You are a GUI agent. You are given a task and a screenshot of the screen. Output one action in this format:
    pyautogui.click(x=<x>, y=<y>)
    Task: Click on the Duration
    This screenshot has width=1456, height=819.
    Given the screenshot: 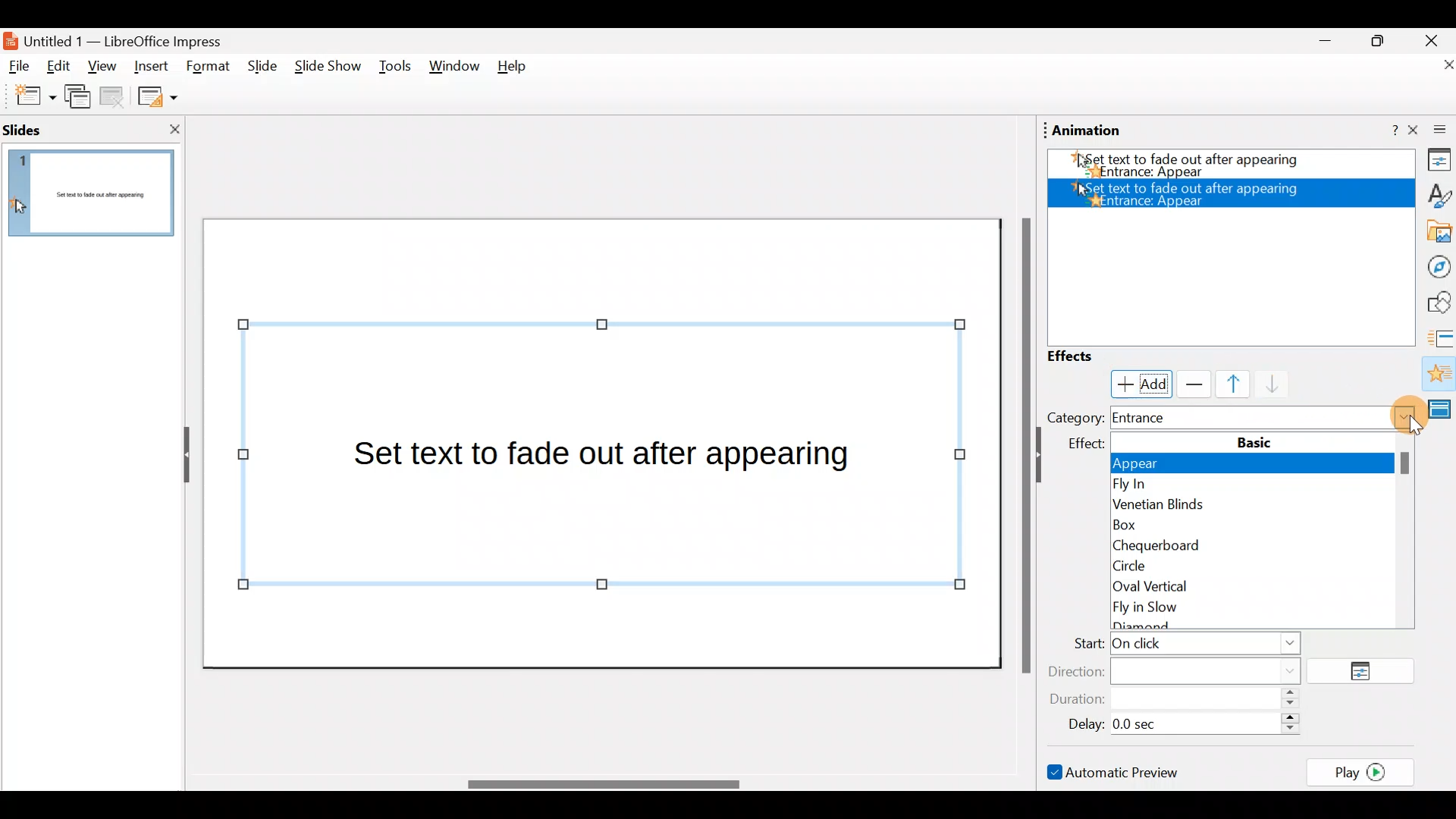 What is the action you would take?
    pyautogui.click(x=1179, y=700)
    